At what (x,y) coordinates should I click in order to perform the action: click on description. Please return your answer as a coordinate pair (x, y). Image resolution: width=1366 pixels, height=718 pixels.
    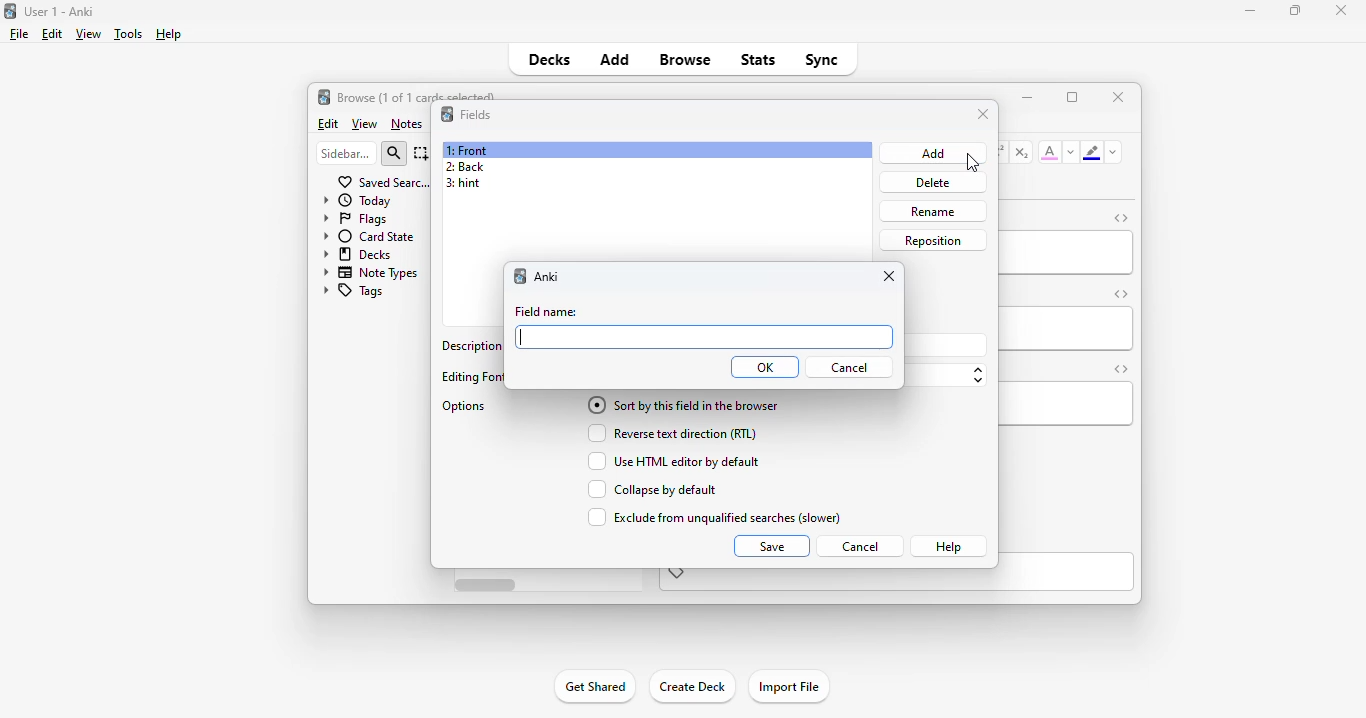
    Looking at the image, I should click on (471, 344).